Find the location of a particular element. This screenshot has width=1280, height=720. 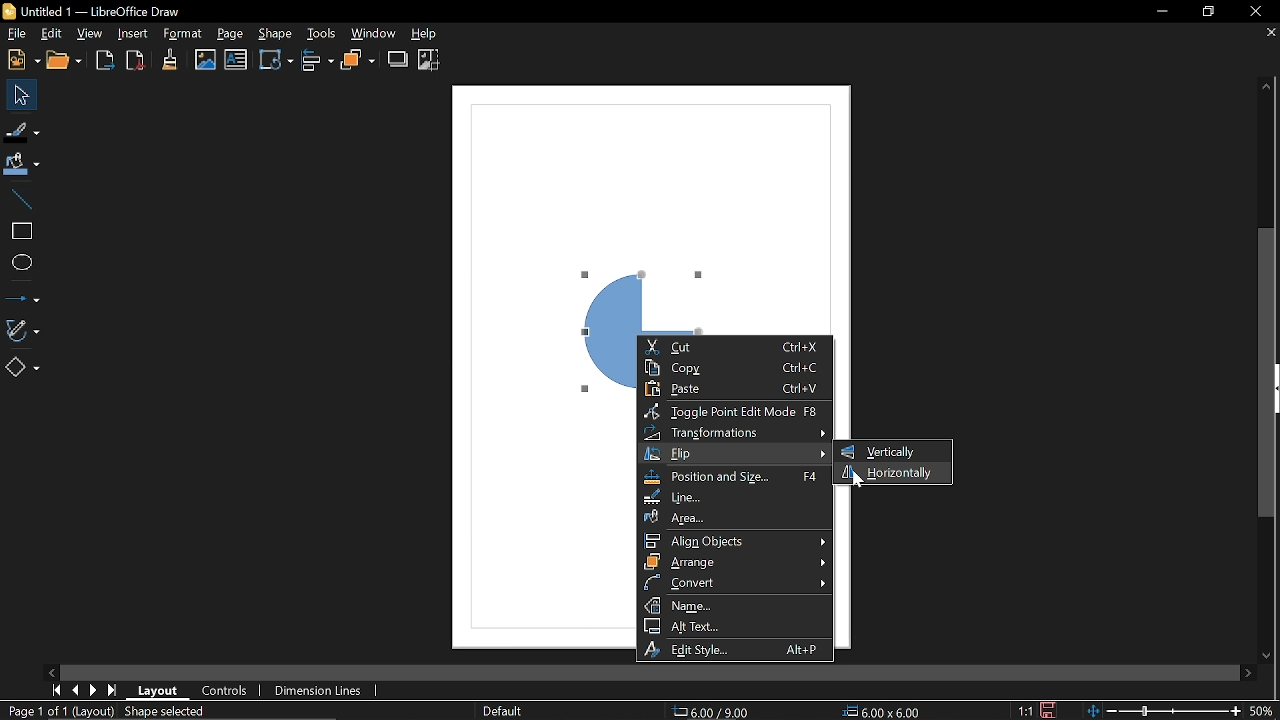

Arrange is located at coordinates (358, 60).